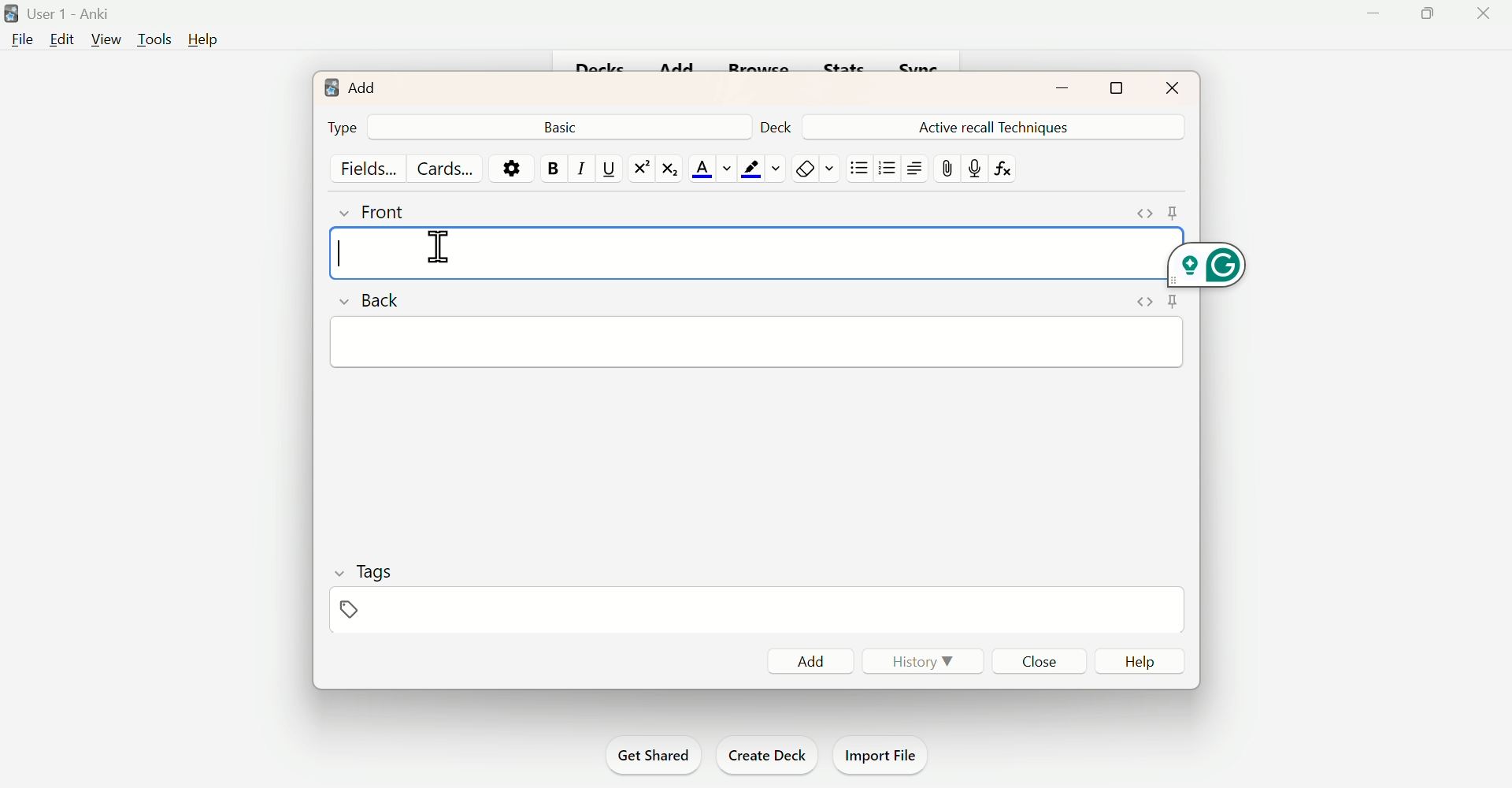  I want to click on Unorganised List, so click(860, 167).